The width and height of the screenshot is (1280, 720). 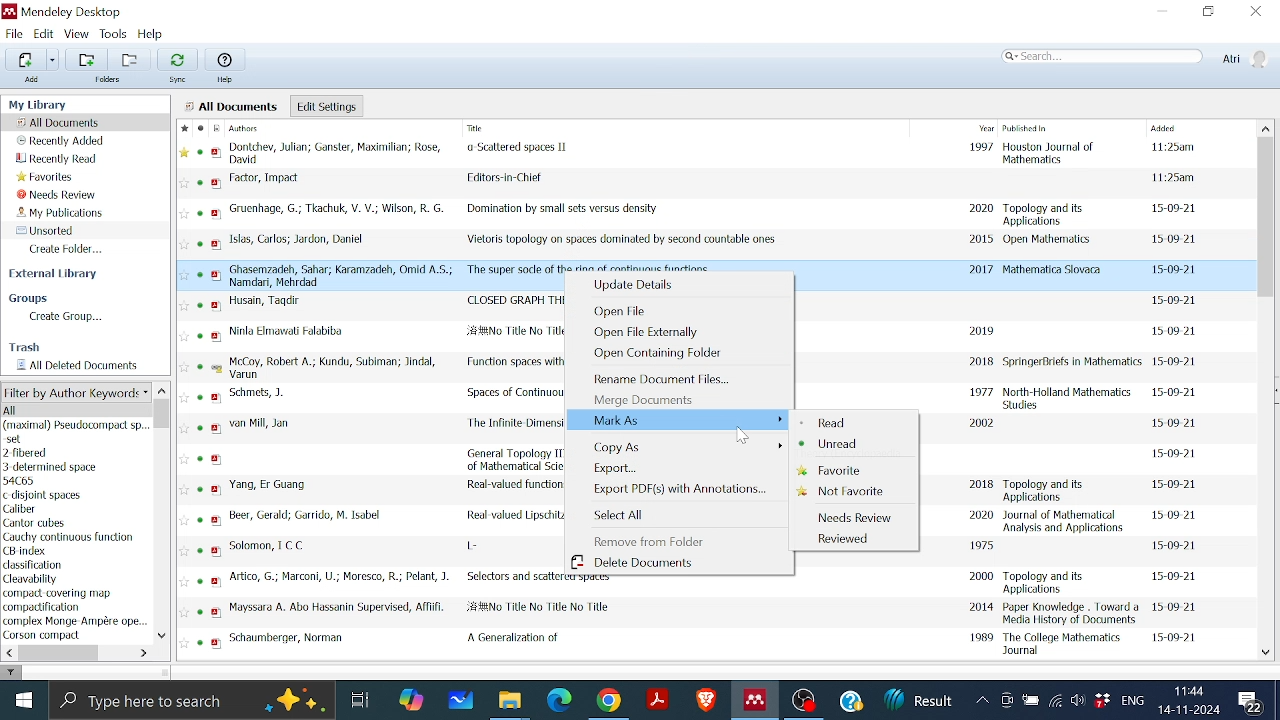 I want to click on Battery, so click(x=1029, y=703).